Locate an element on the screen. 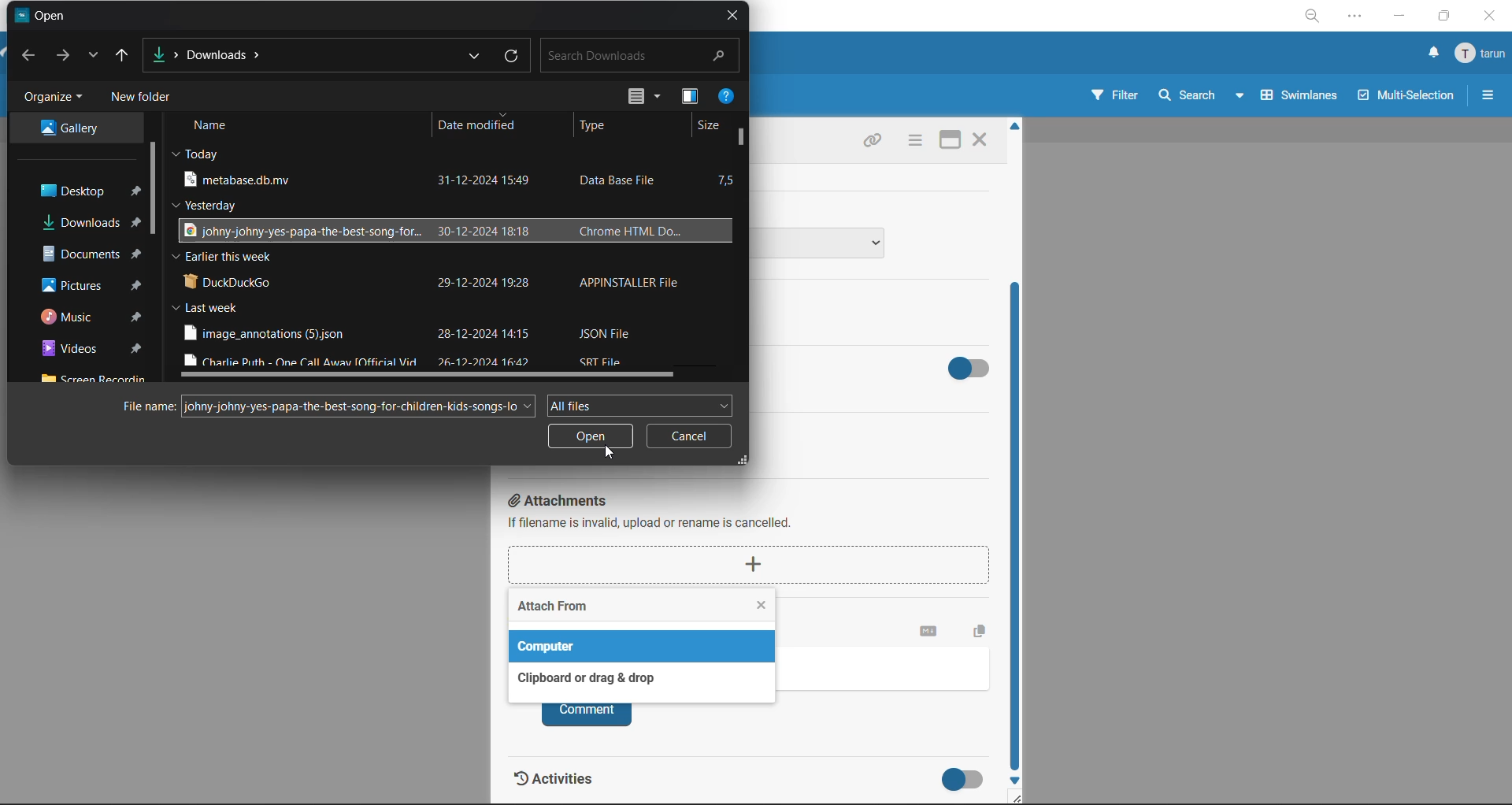  search is located at coordinates (1203, 95).